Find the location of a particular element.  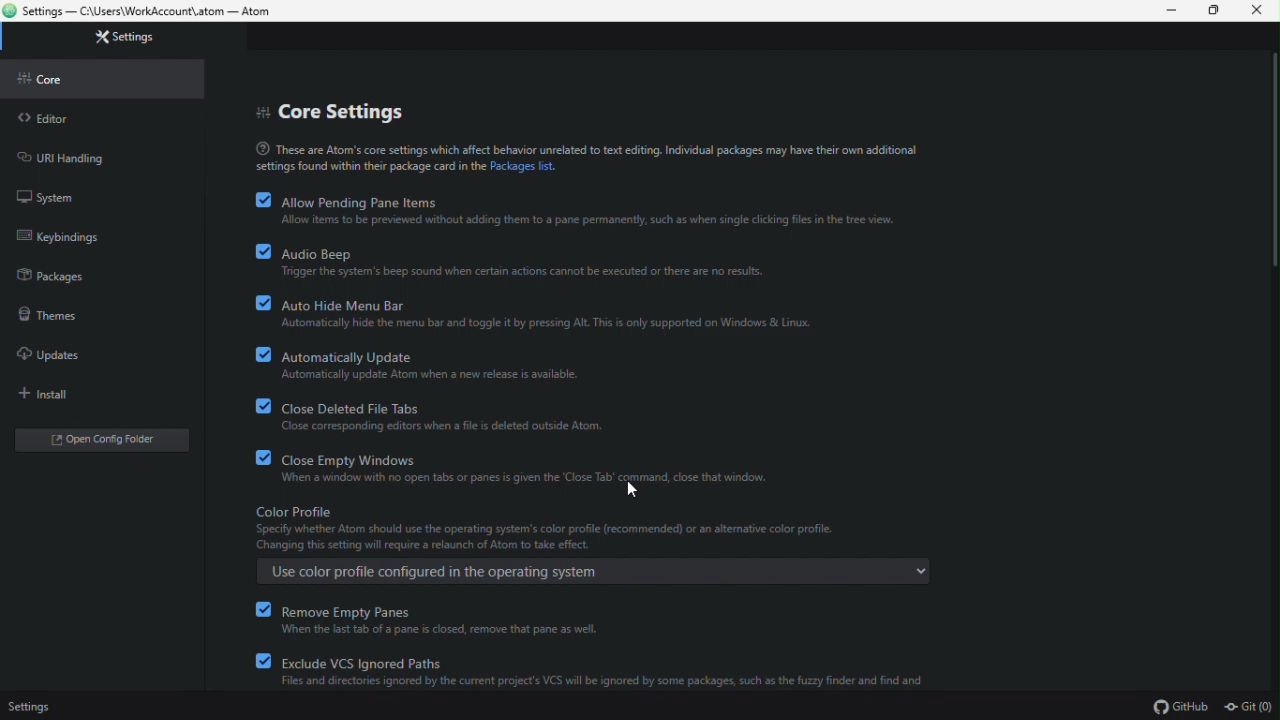

close is located at coordinates (1262, 11).